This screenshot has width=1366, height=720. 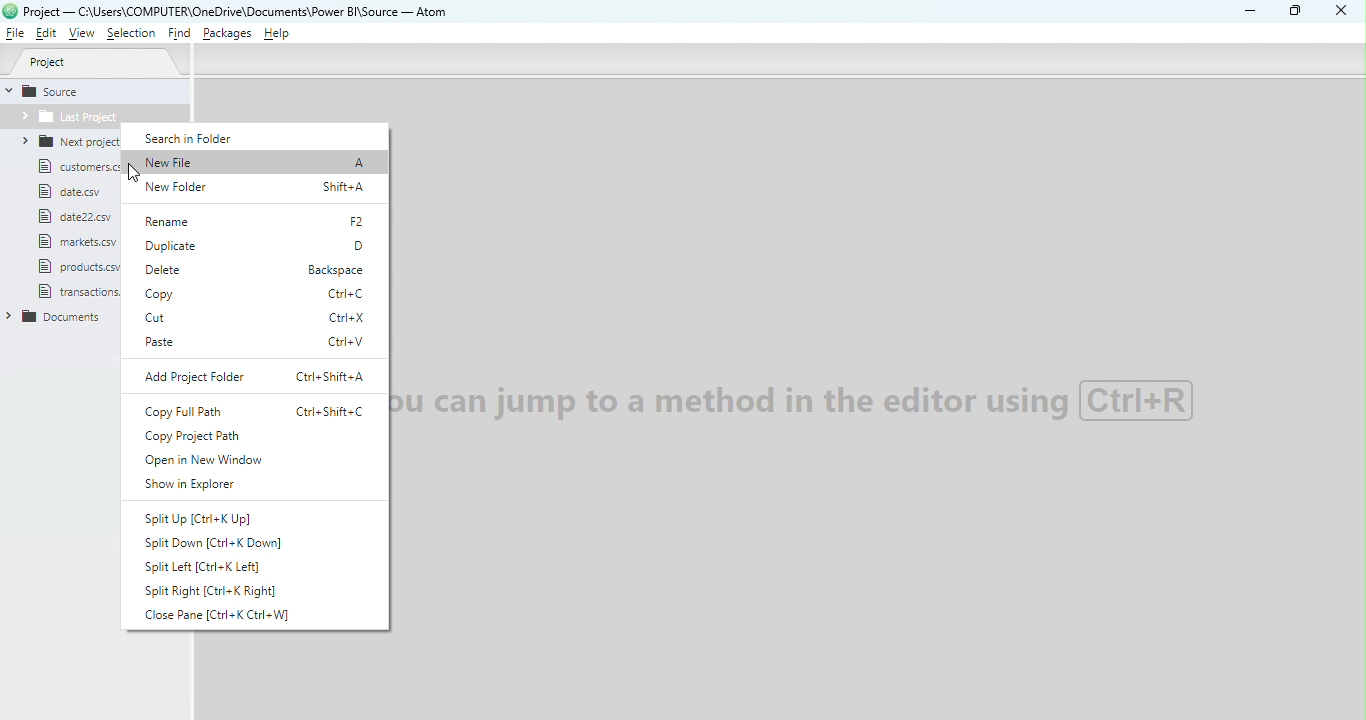 I want to click on Folder, so click(x=93, y=116).